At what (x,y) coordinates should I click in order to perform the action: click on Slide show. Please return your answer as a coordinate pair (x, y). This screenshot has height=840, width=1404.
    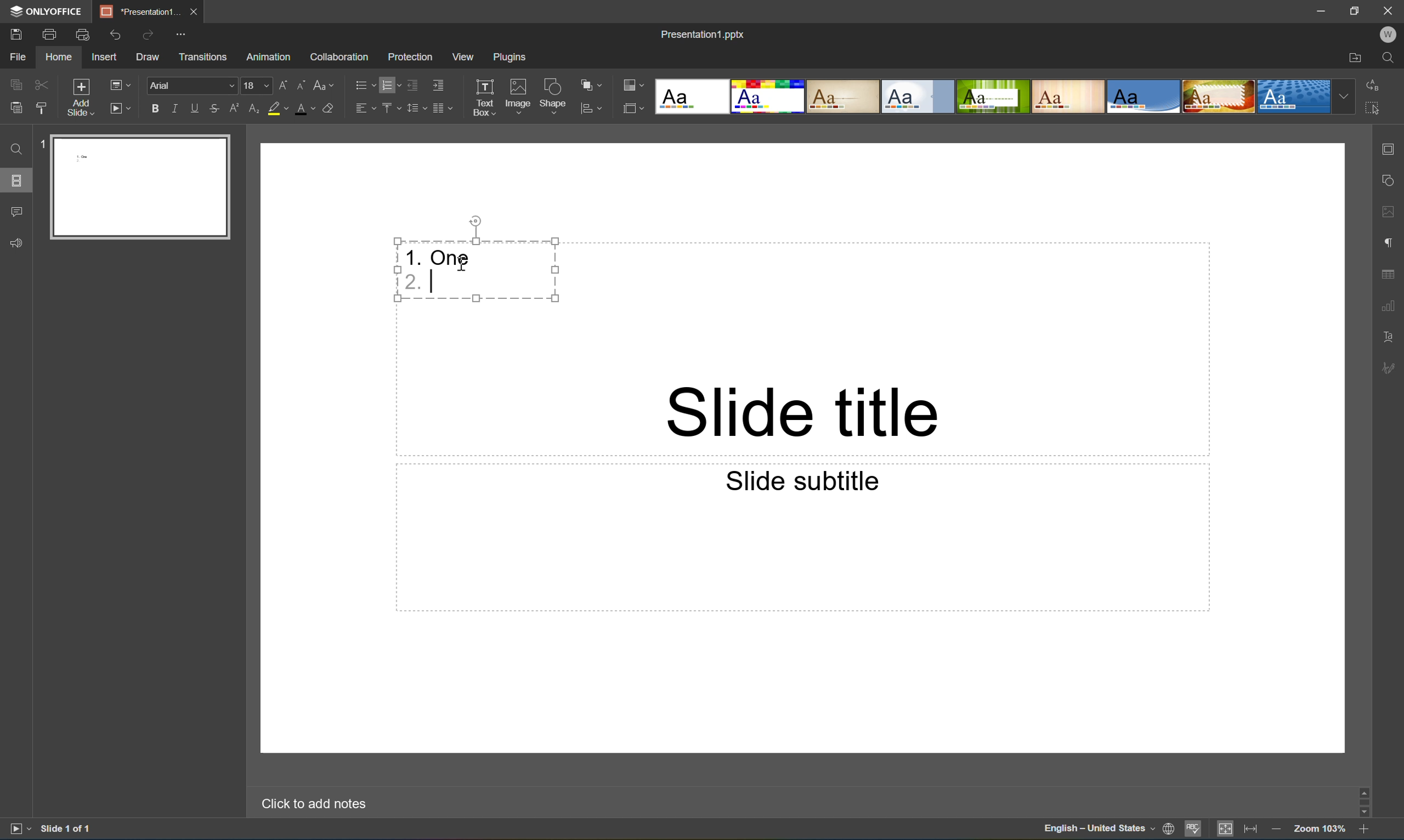
    Looking at the image, I should click on (121, 109).